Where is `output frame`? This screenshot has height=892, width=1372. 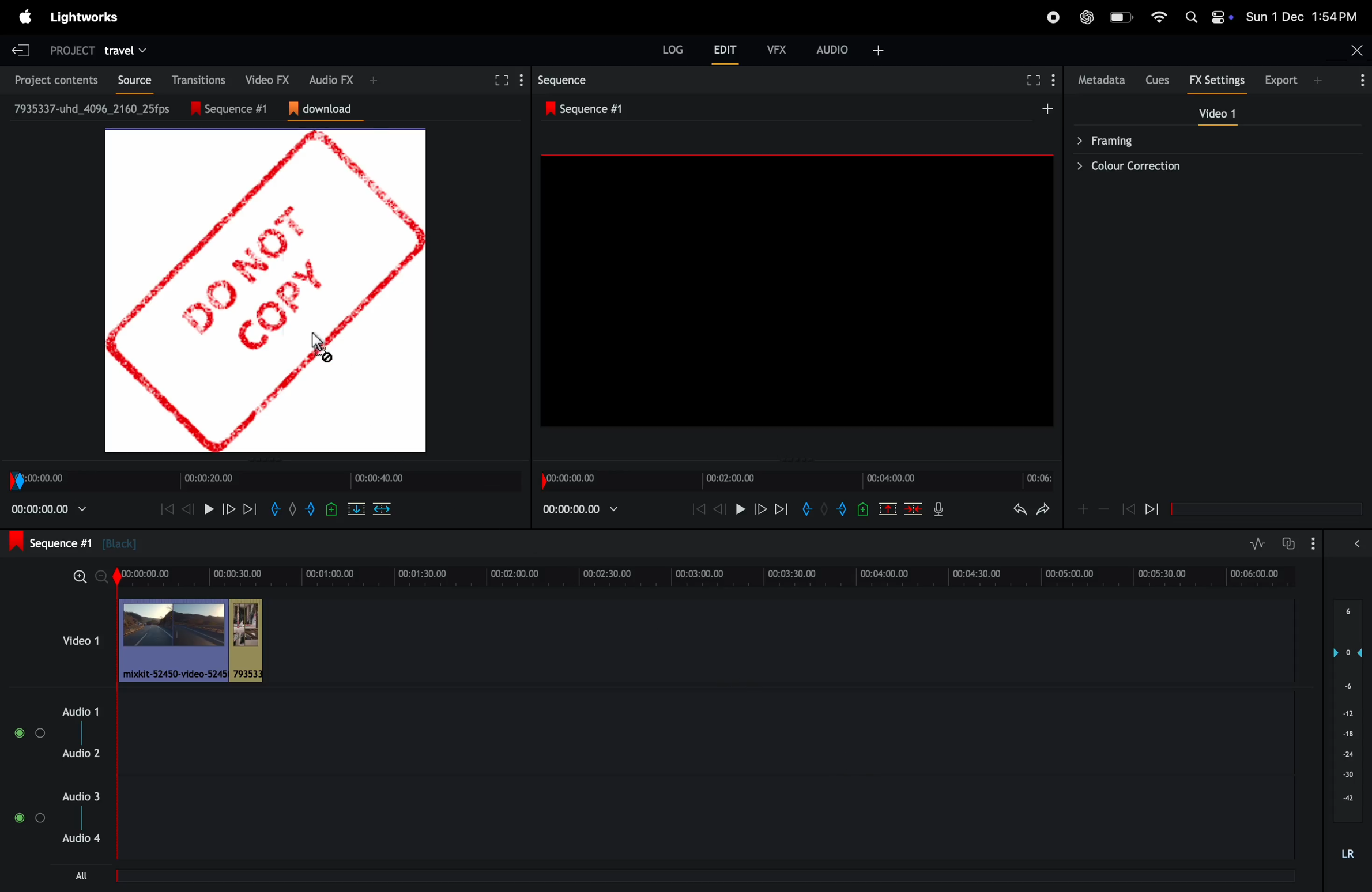
output frame is located at coordinates (797, 290).